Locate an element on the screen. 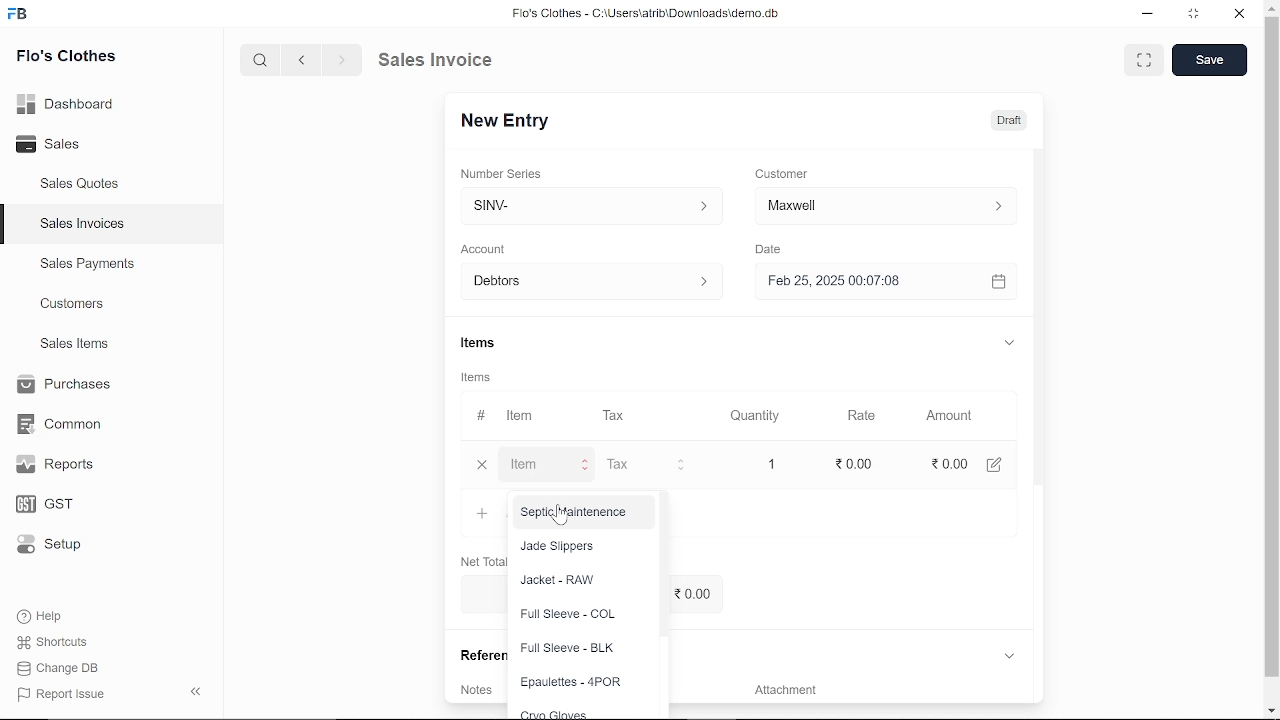  Add invoice terms is located at coordinates (478, 689).